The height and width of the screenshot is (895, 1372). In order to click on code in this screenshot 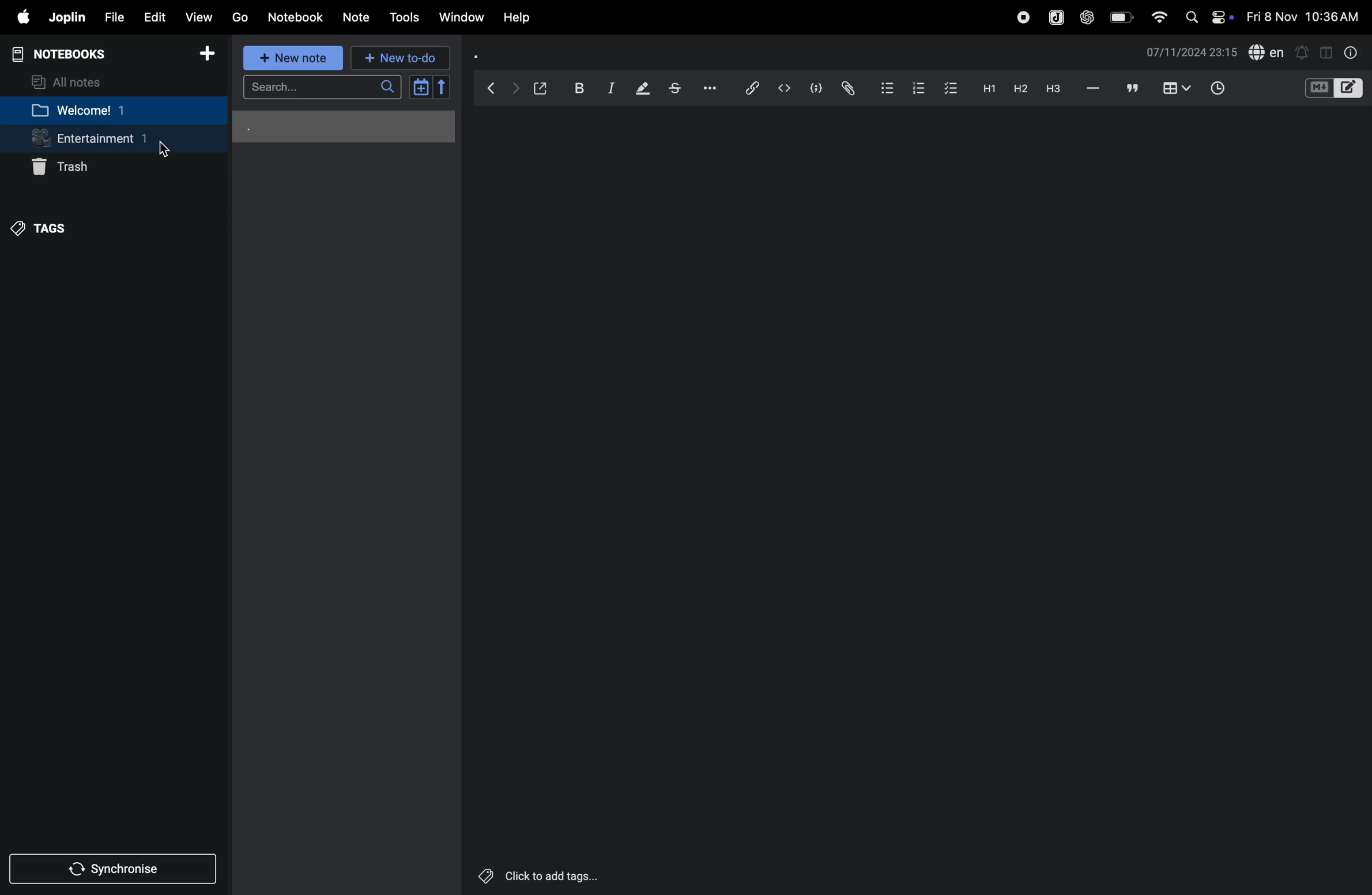, I will do `click(812, 88)`.